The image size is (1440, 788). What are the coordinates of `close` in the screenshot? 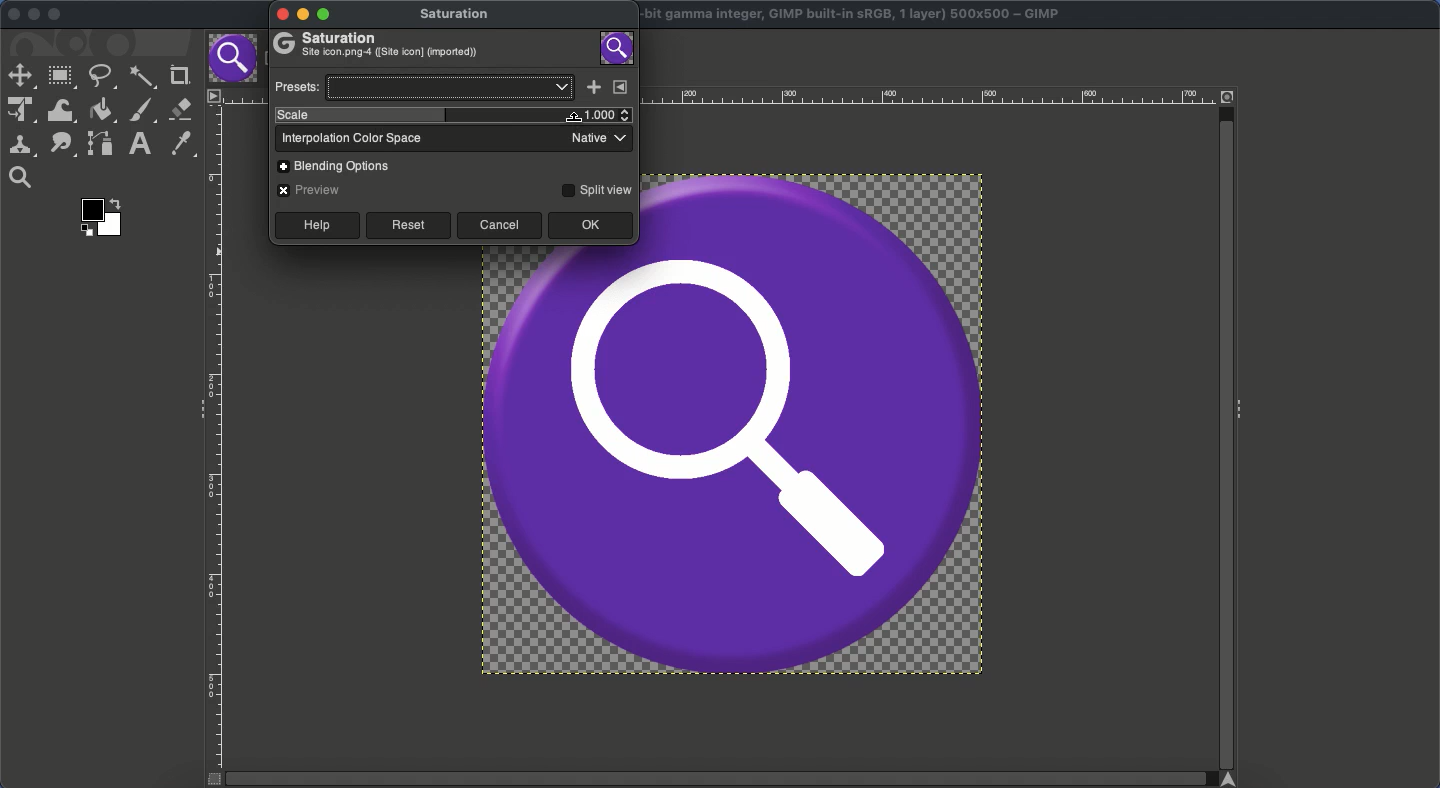 It's located at (280, 15).